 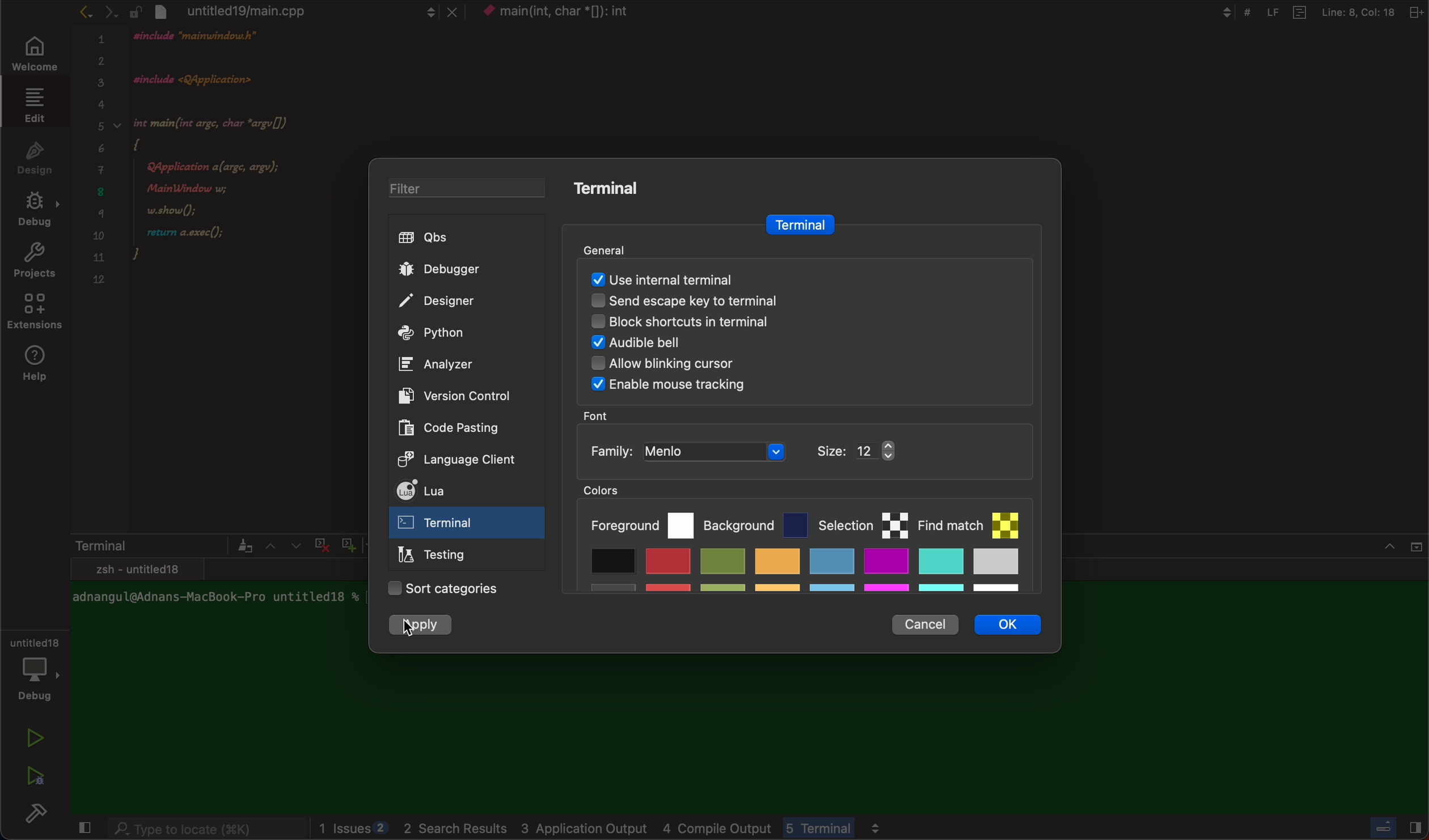 What do you see at coordinates (416, 627) in the screenshot?
I see `cursor` at bounding box center [416, 627].